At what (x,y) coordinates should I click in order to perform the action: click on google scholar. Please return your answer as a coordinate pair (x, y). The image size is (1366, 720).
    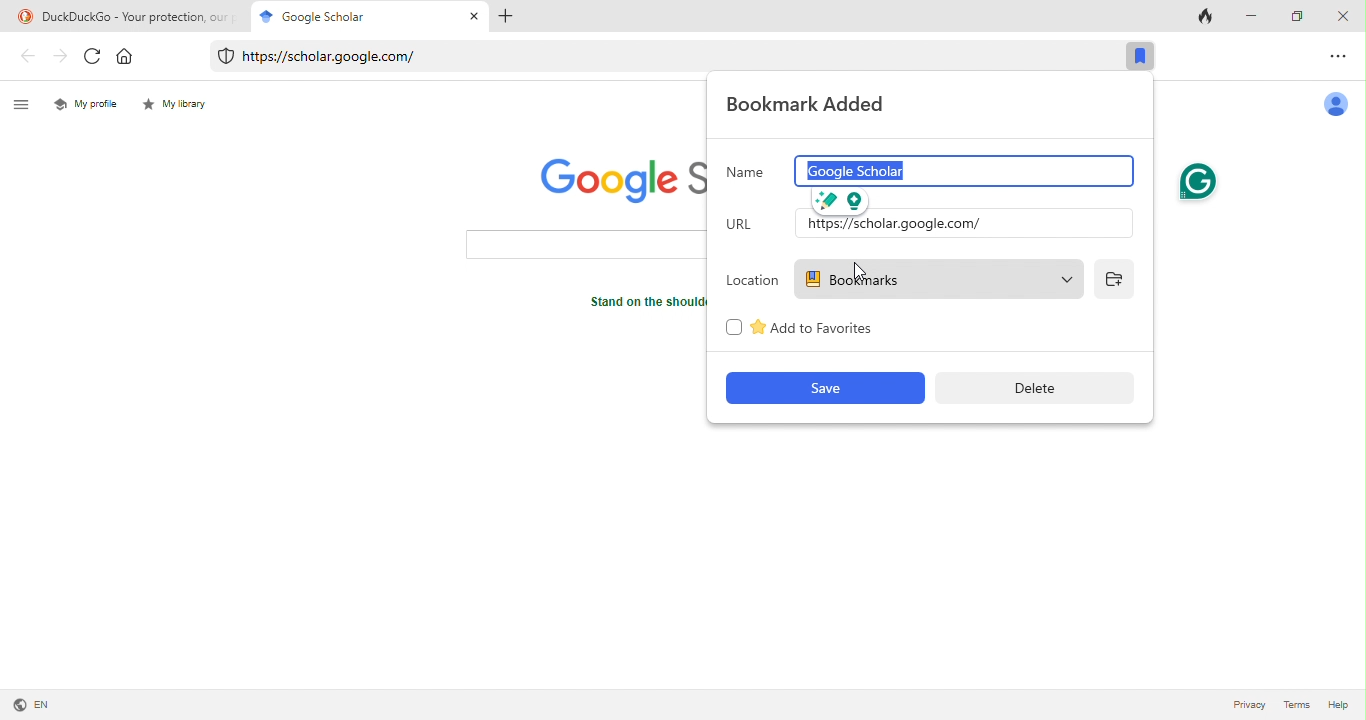
    Looking at the image, I should click on (964, 171).